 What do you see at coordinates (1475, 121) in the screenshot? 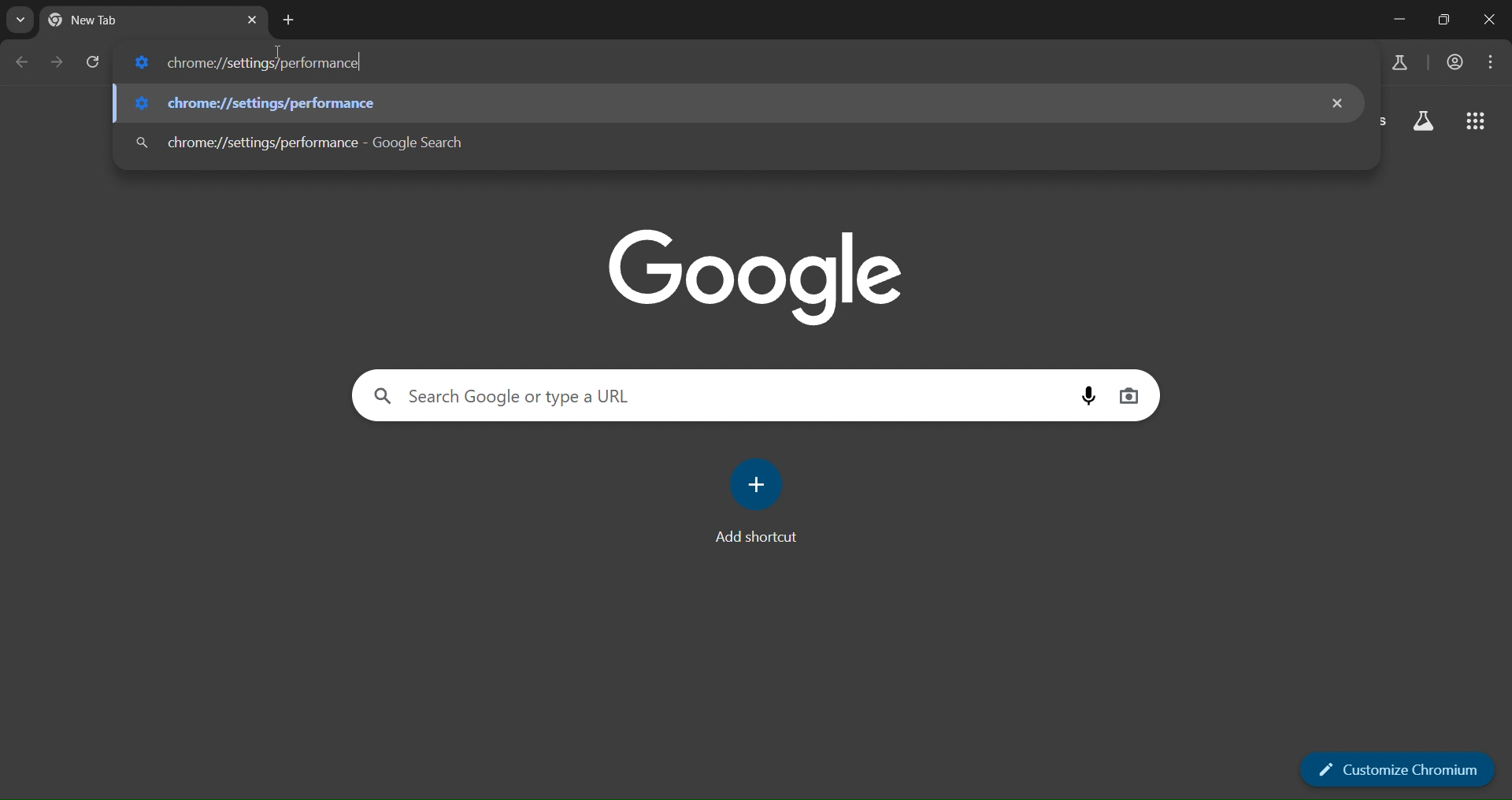
I see `google apps` at bounding box center [1475, 121].